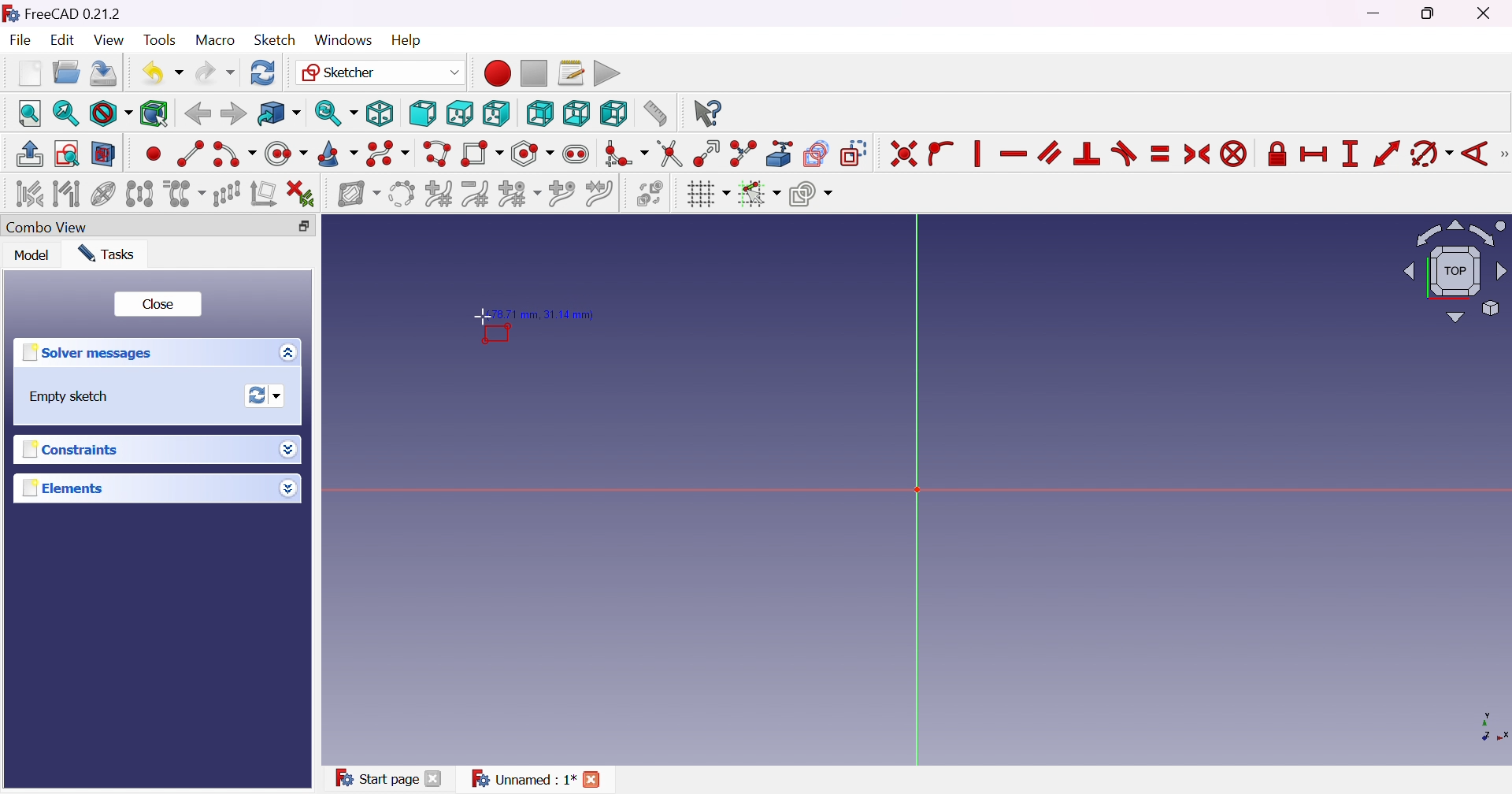 The height and width of the screenshot is (794, 1512). What do you see at coordinates (400, 195) in the screenshot?
I see `Convert geometry to B-spline` at bounding box center [400, 195].